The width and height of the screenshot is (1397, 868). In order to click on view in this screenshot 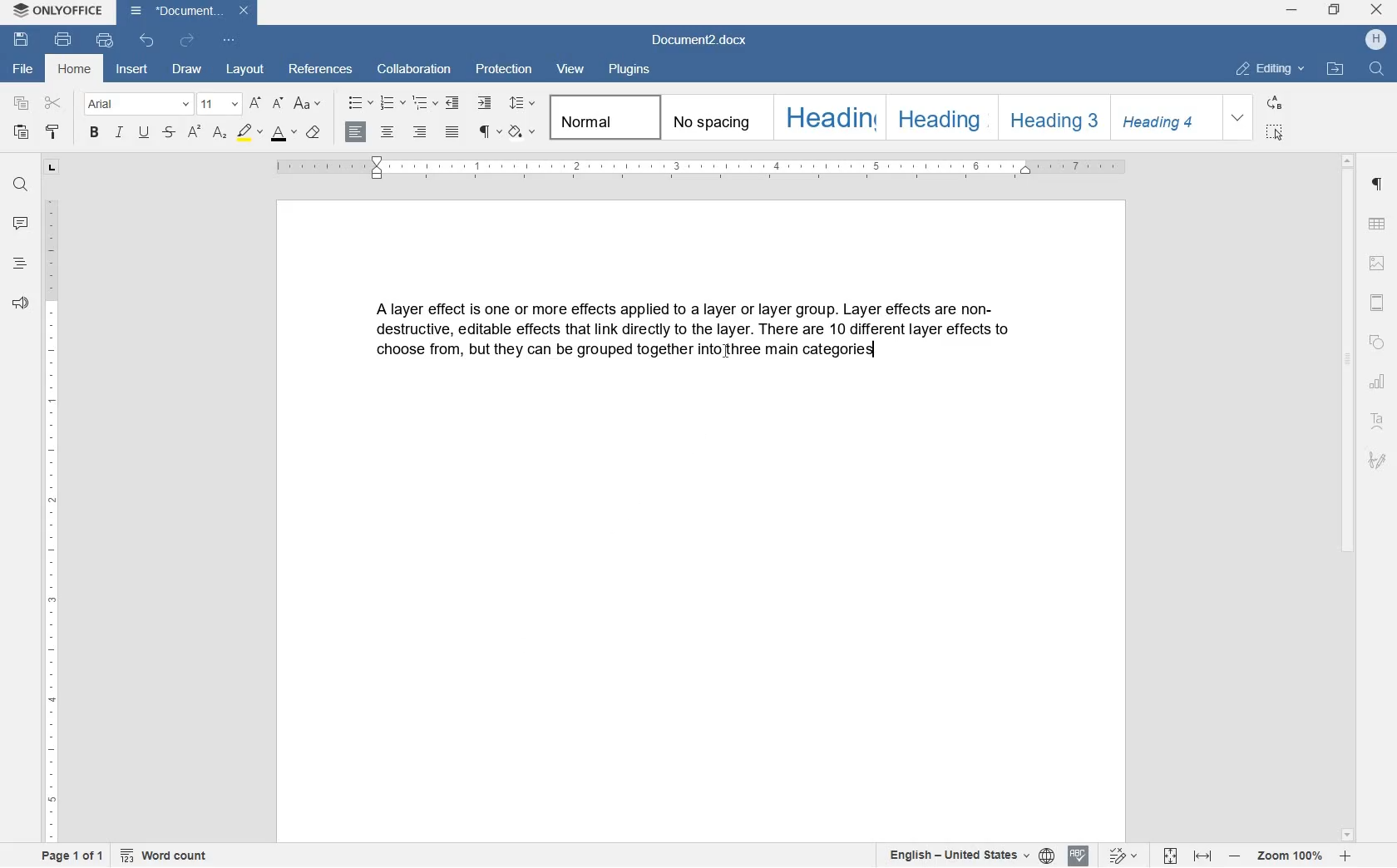, I will do `click(574, 68)`.